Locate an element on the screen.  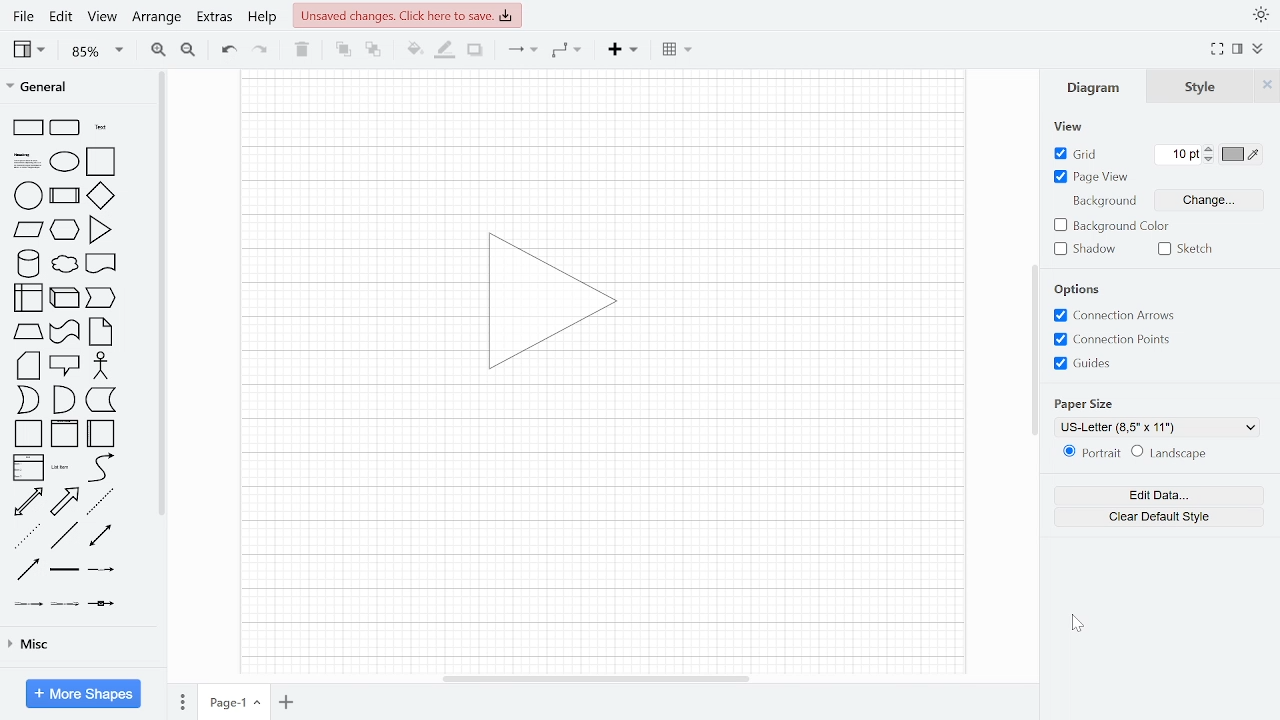
Grid  is located at coordinates (1077, 154).